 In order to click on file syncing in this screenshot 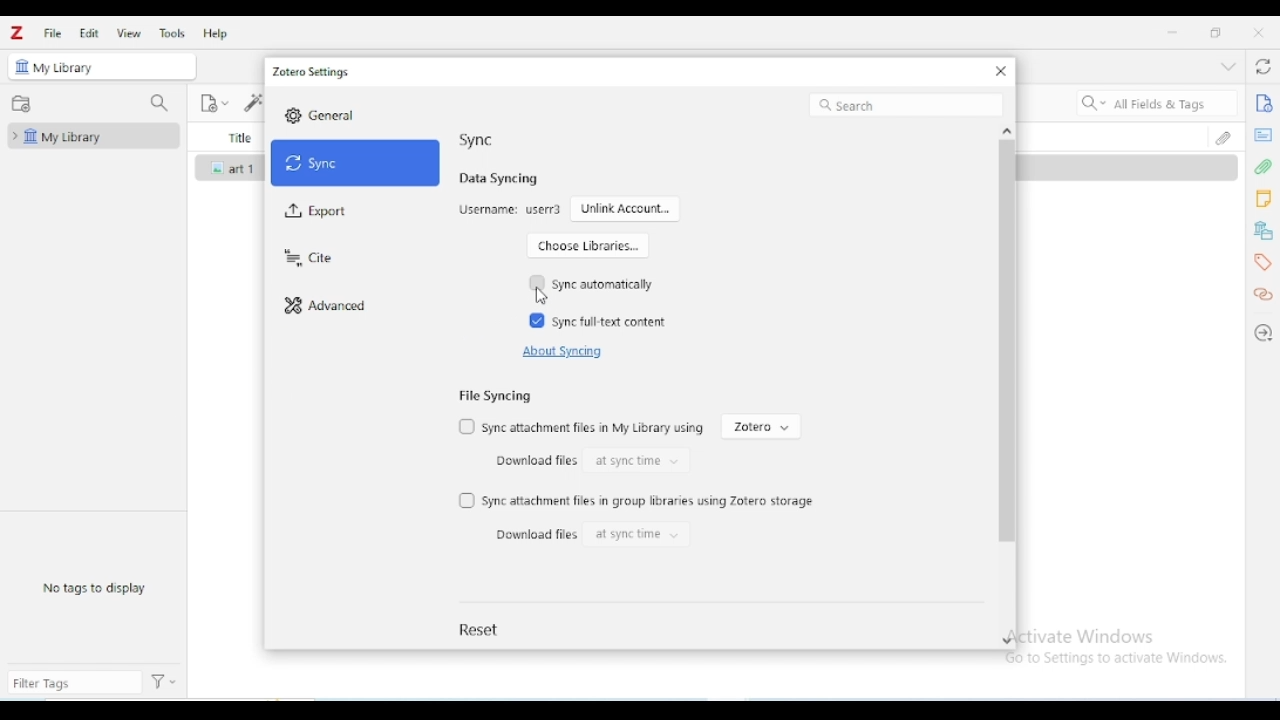, I will do `click(494, 395)`.